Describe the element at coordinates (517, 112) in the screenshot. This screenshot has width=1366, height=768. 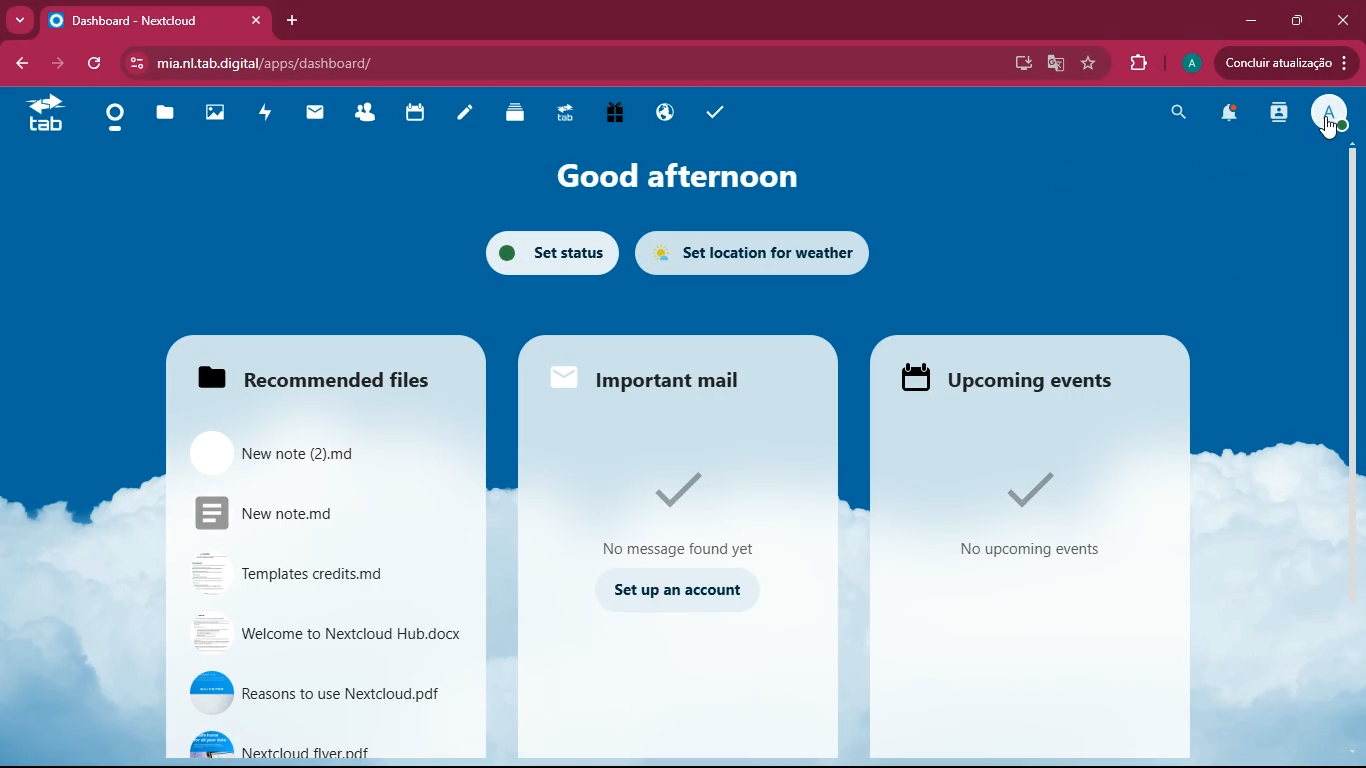
I see `layers` at that location.